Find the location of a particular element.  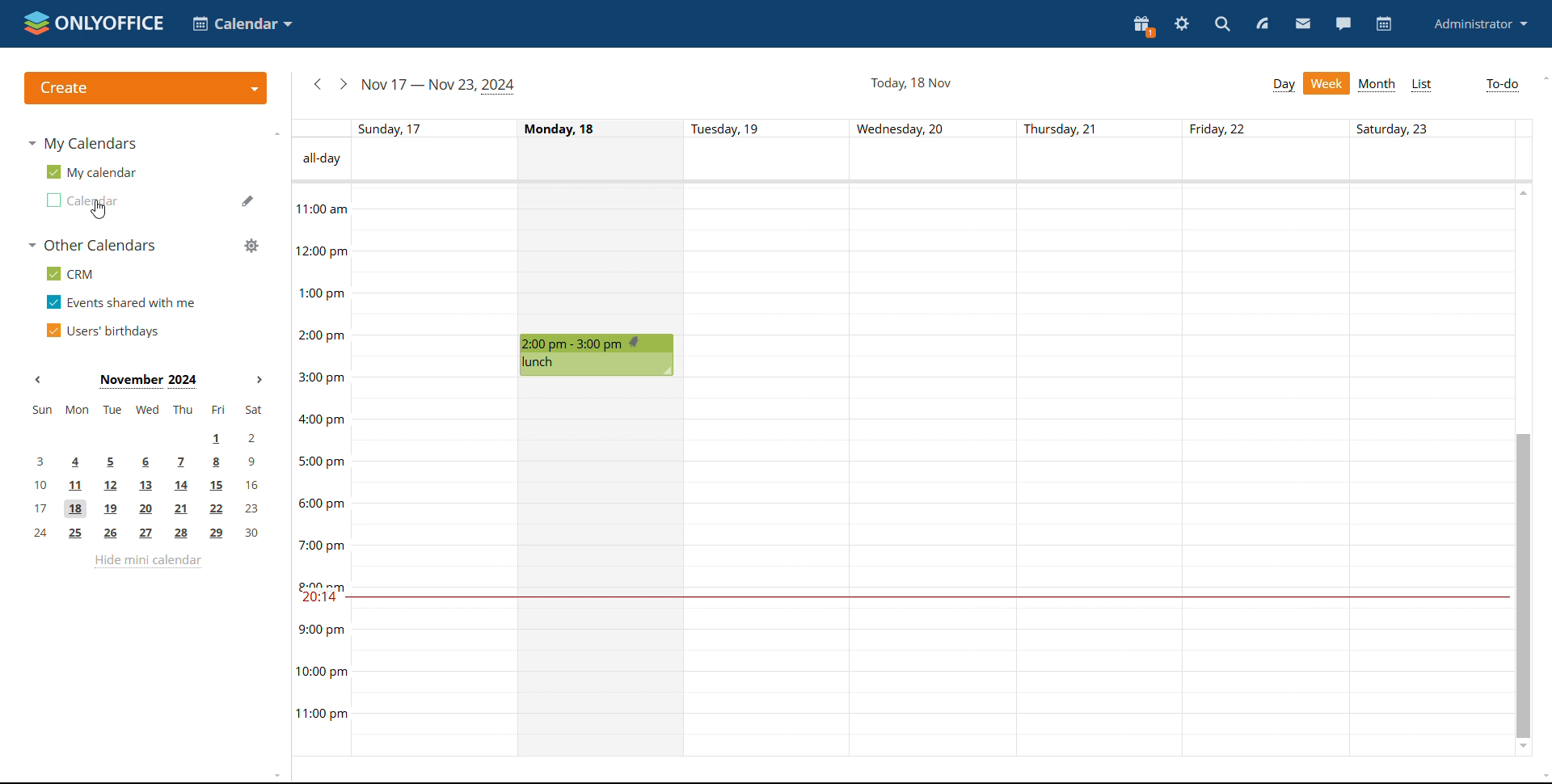

day view is located at coordinates (1284, 85).